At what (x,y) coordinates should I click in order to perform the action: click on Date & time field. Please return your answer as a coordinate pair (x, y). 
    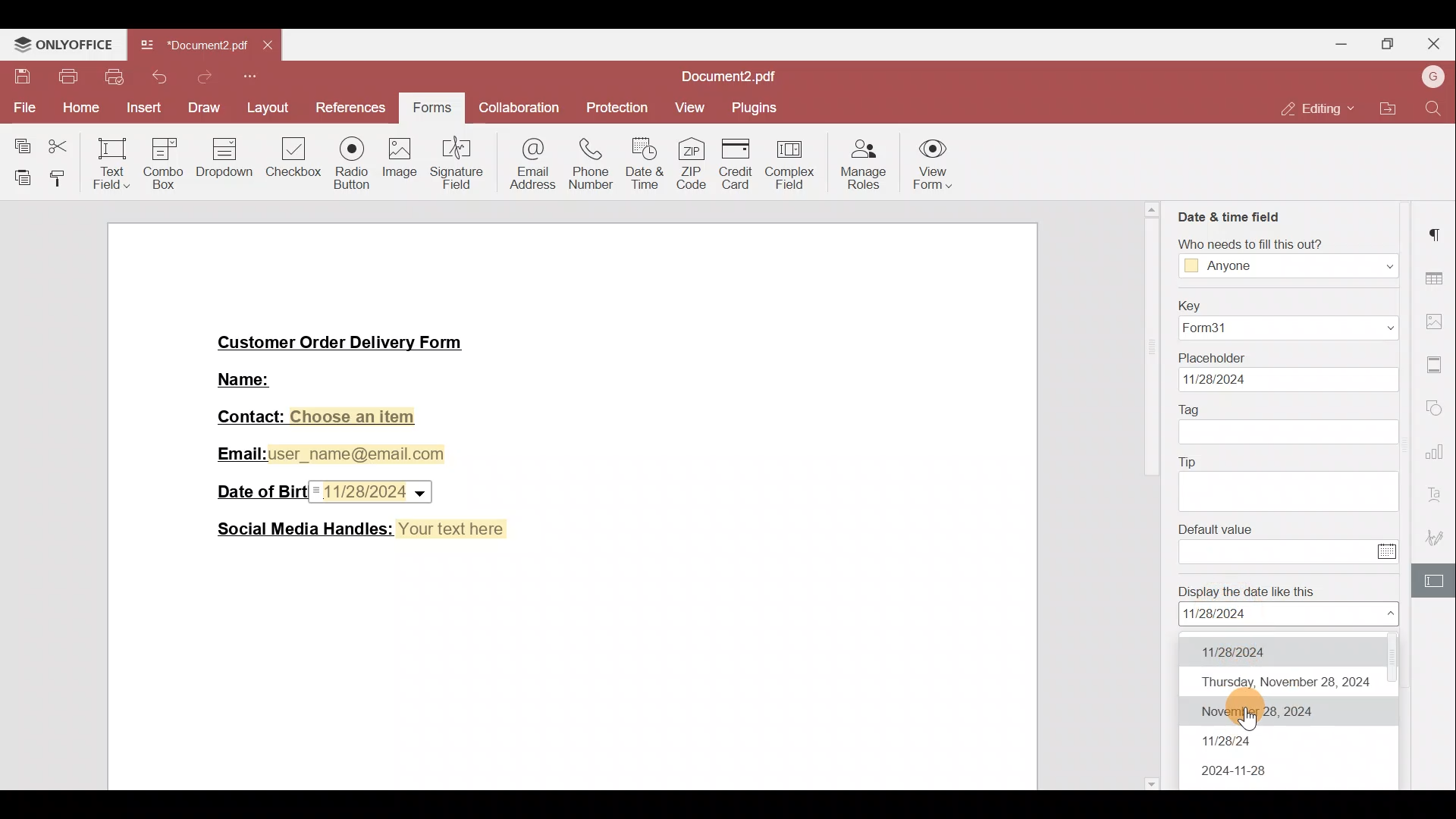
    Looking at the image, I should click on (1231, 216).